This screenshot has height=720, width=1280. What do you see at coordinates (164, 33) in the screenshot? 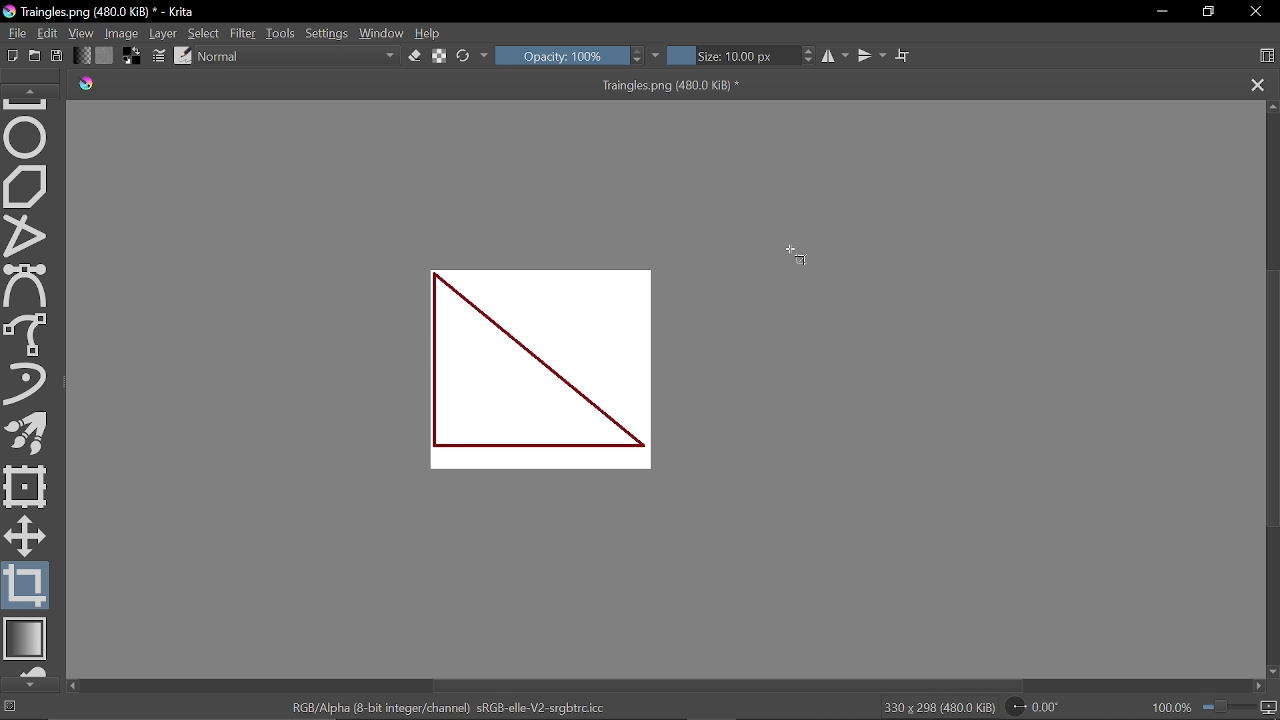
I see `Layer` at bounding box center [164, 33].